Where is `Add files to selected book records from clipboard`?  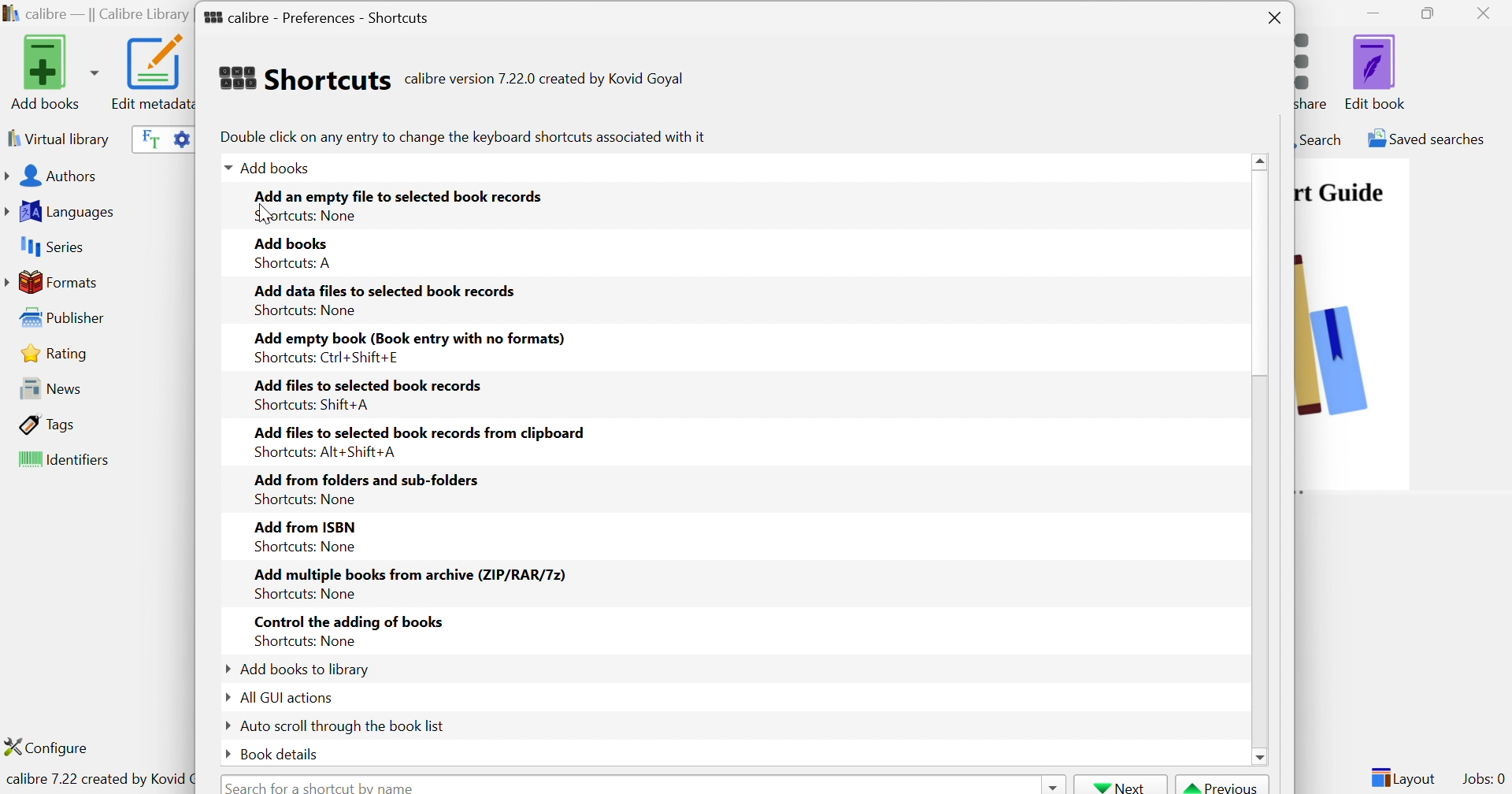
Add files to selected book records from clipboard is located at coordinates (417, 432).